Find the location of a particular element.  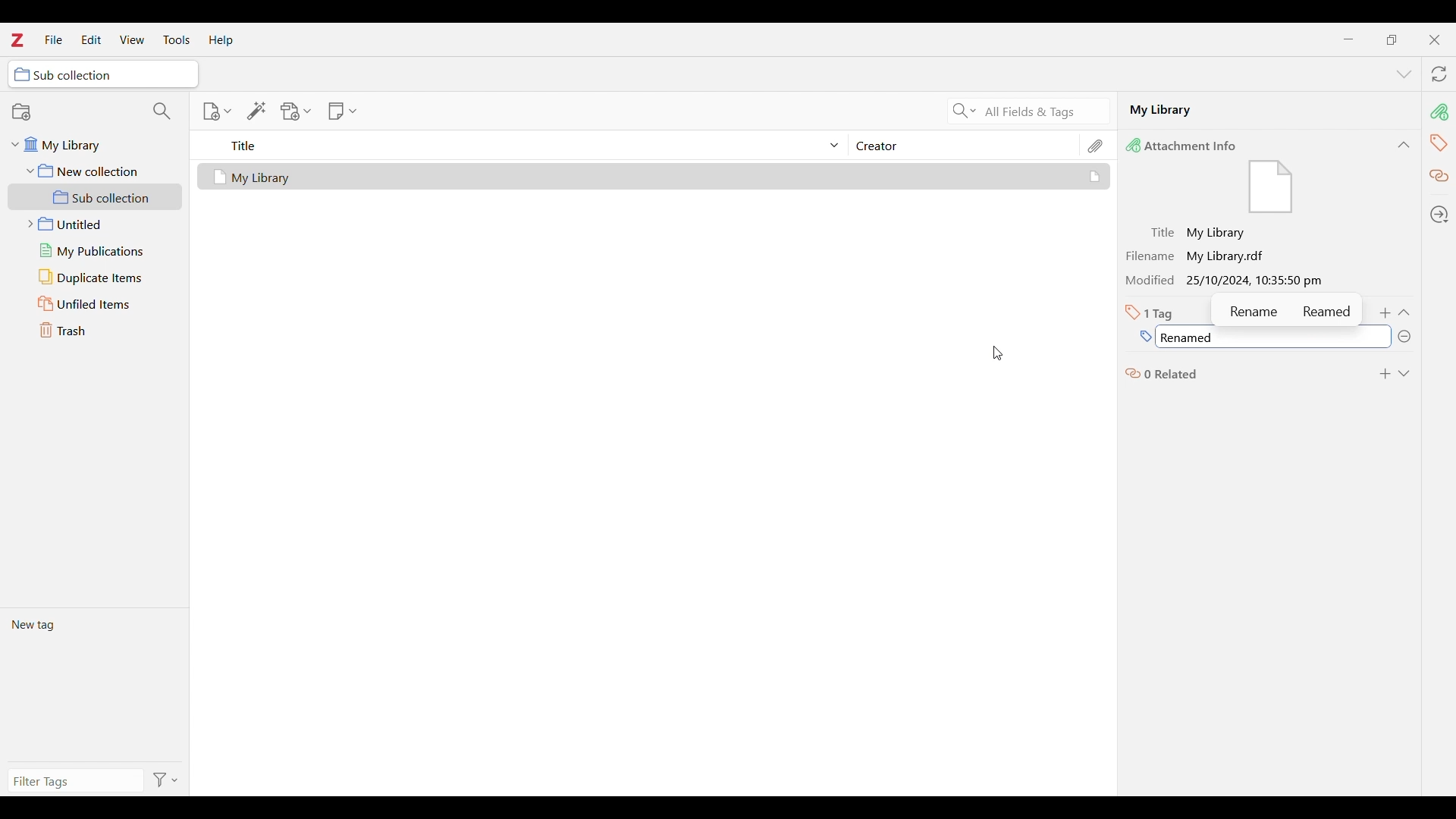

New item options is located at coordinates (217, 111).